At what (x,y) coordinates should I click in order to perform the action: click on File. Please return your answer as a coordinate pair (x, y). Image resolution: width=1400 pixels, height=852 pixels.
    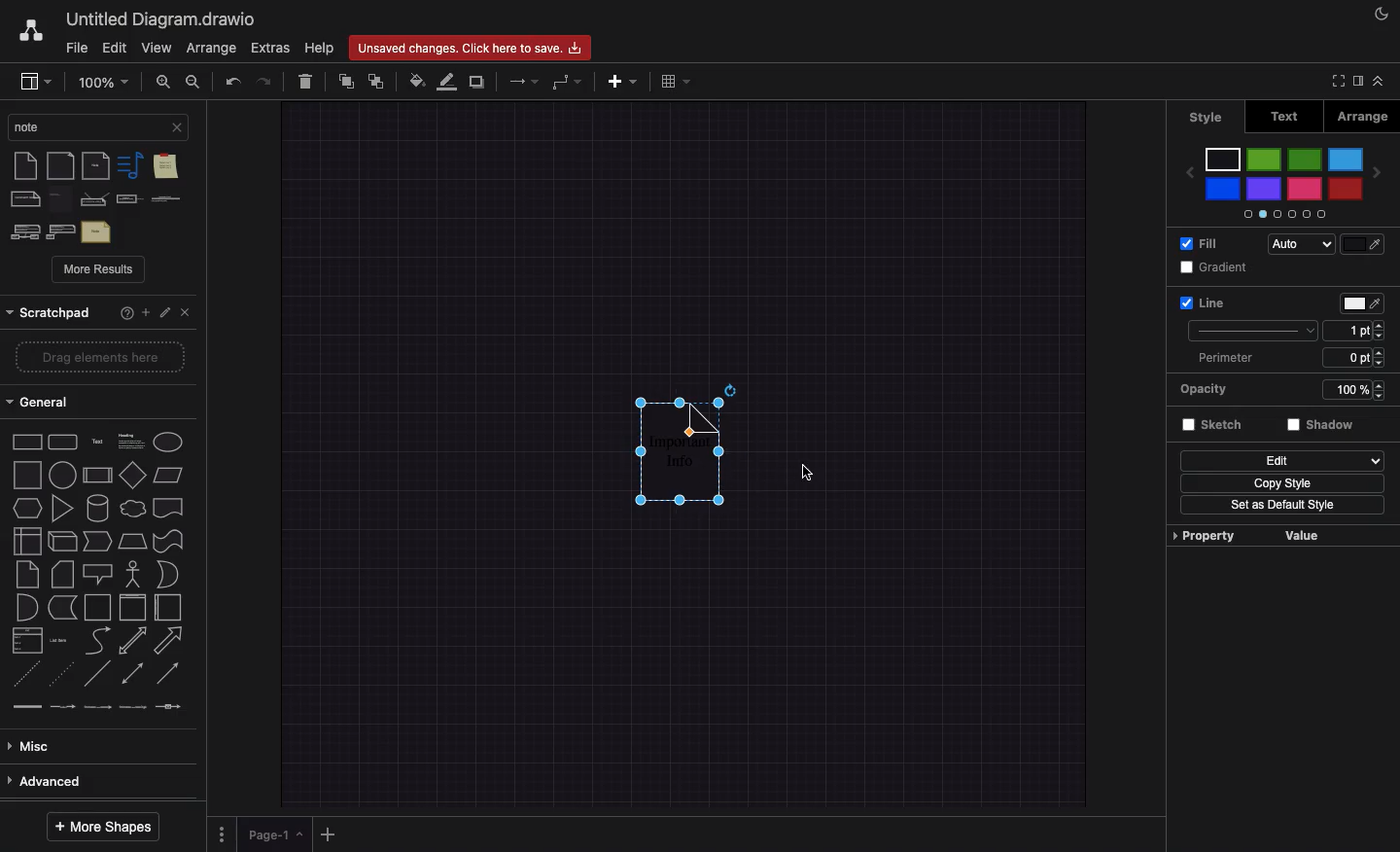
    Looking at the image, I should click on (77, 49).